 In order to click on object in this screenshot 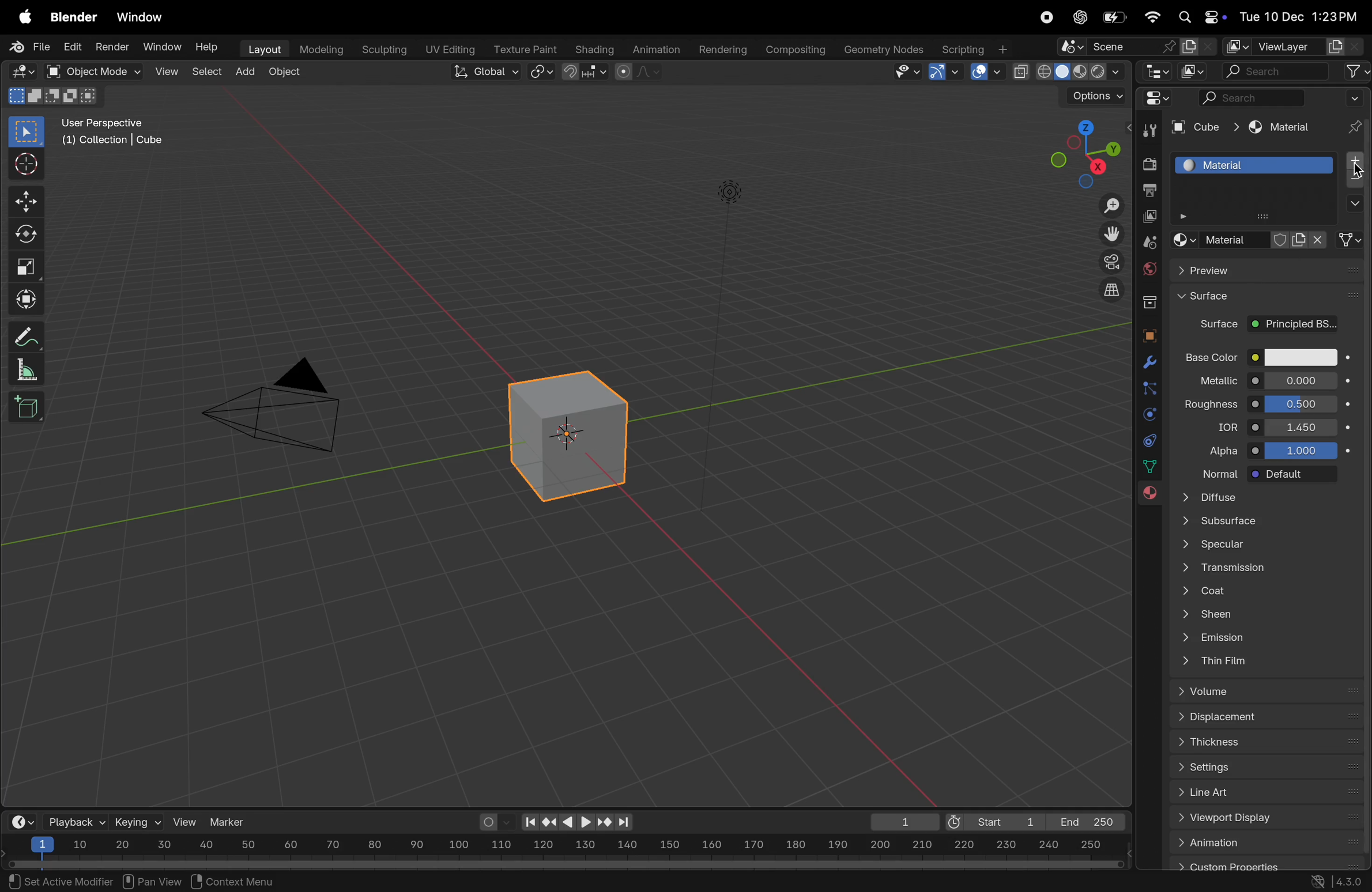, I will do `click(285, 73)`.